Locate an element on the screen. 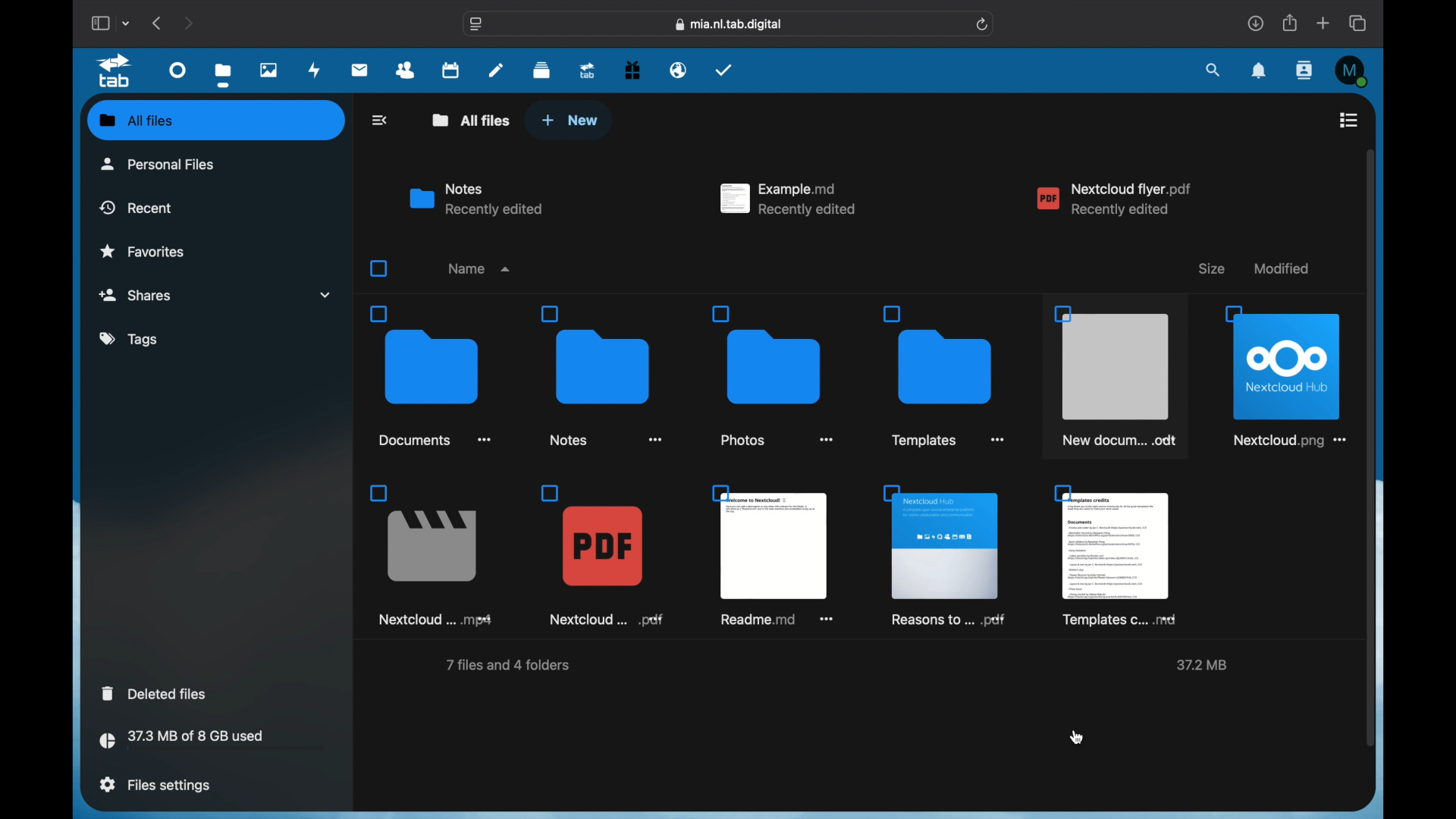  files is located at coordinates (223, 74).